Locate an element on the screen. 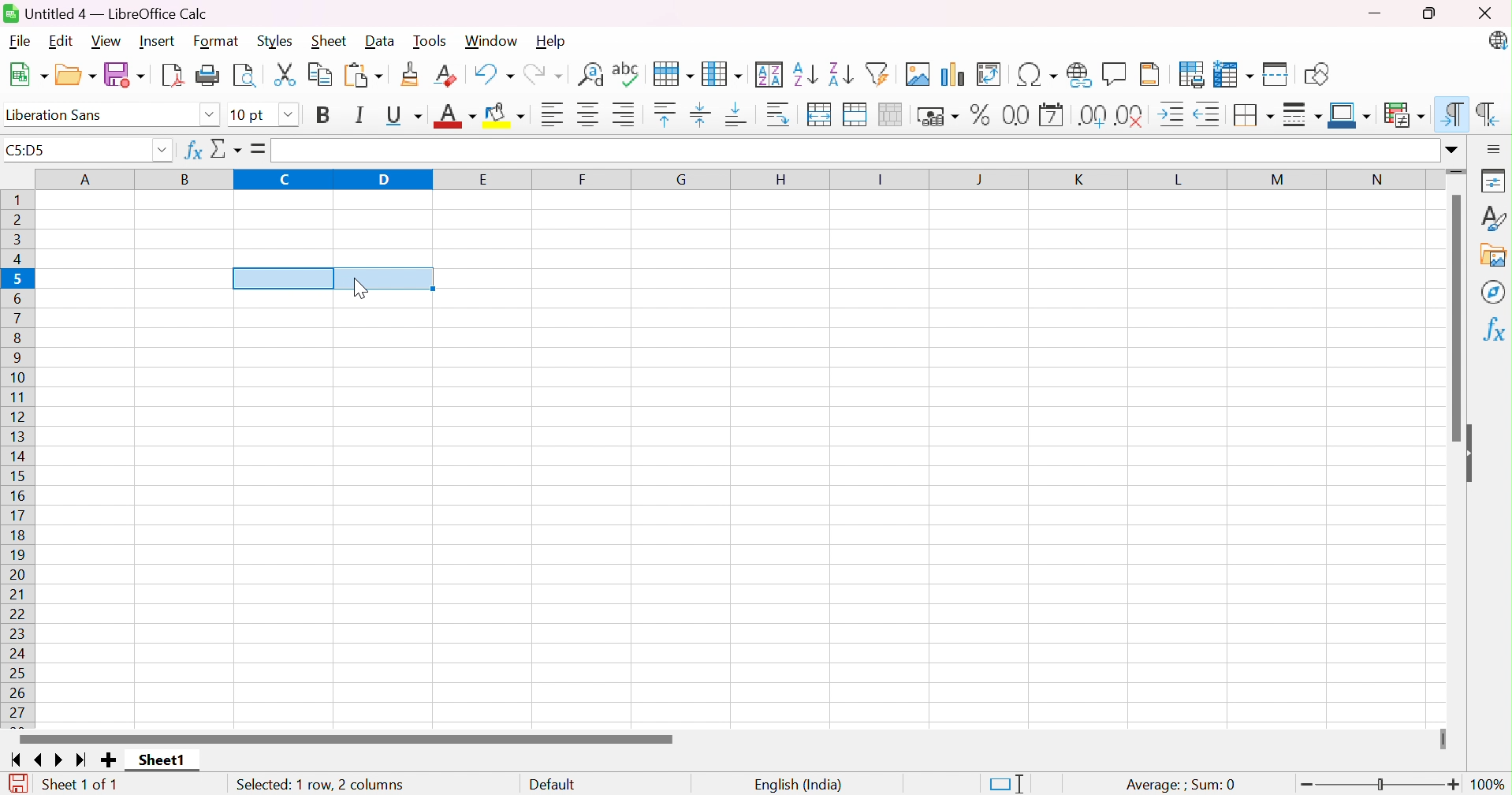  Border Style is located at coordinates (1303, 115).